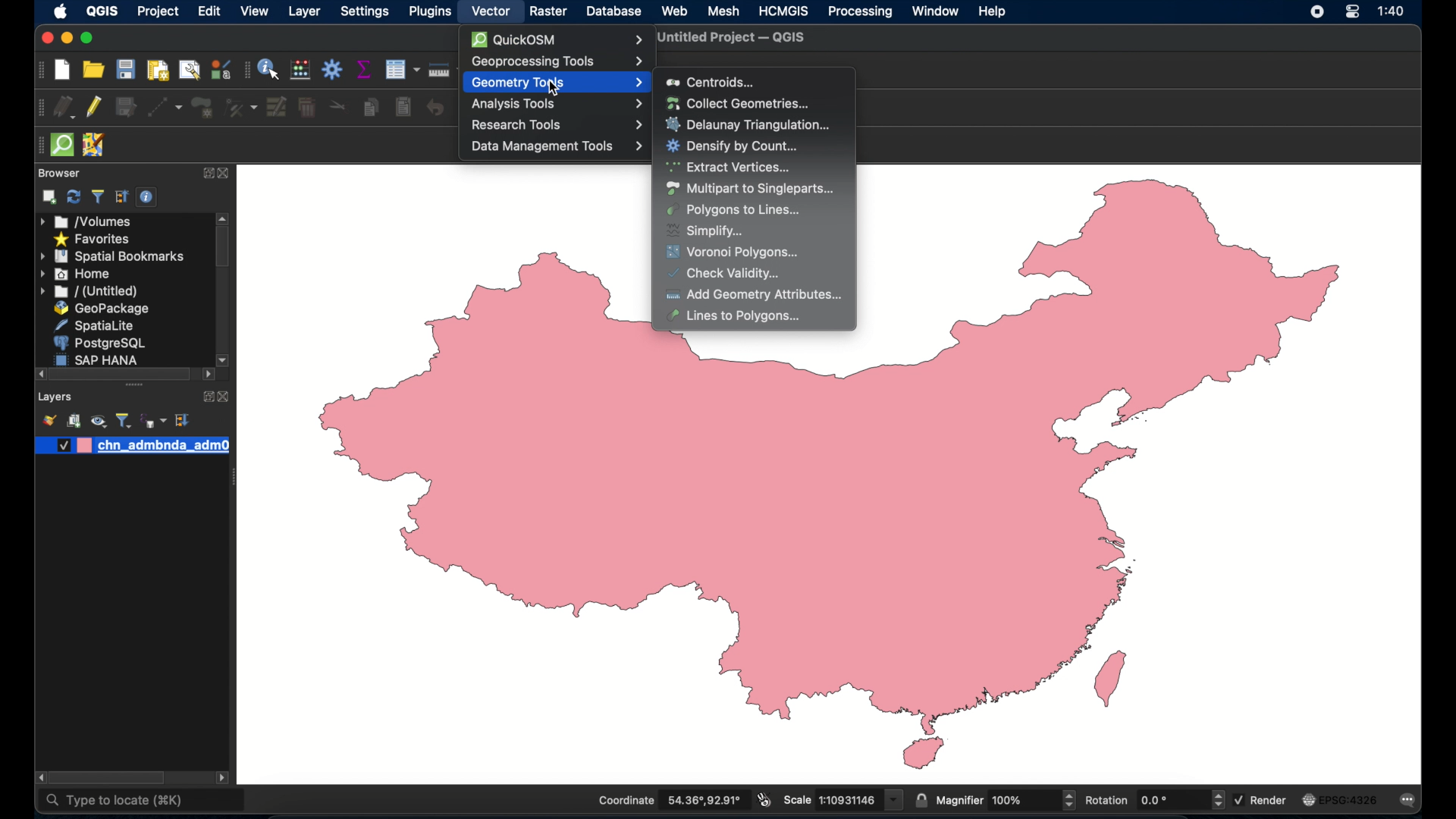 The width and height of the screenshot is (1456, 819). I want to click on Delaunay triangulation, so click(751, 124).